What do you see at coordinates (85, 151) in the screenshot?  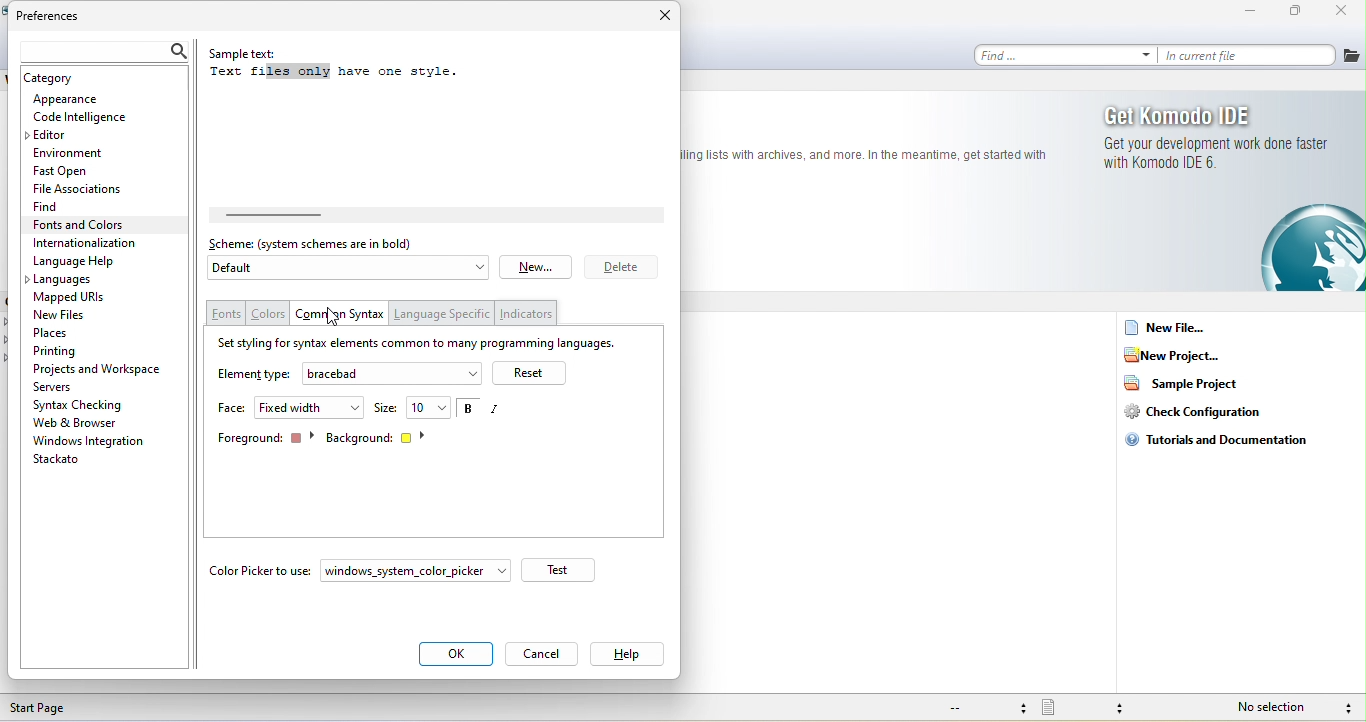 I see `environment` at bounding box center [85, 151].